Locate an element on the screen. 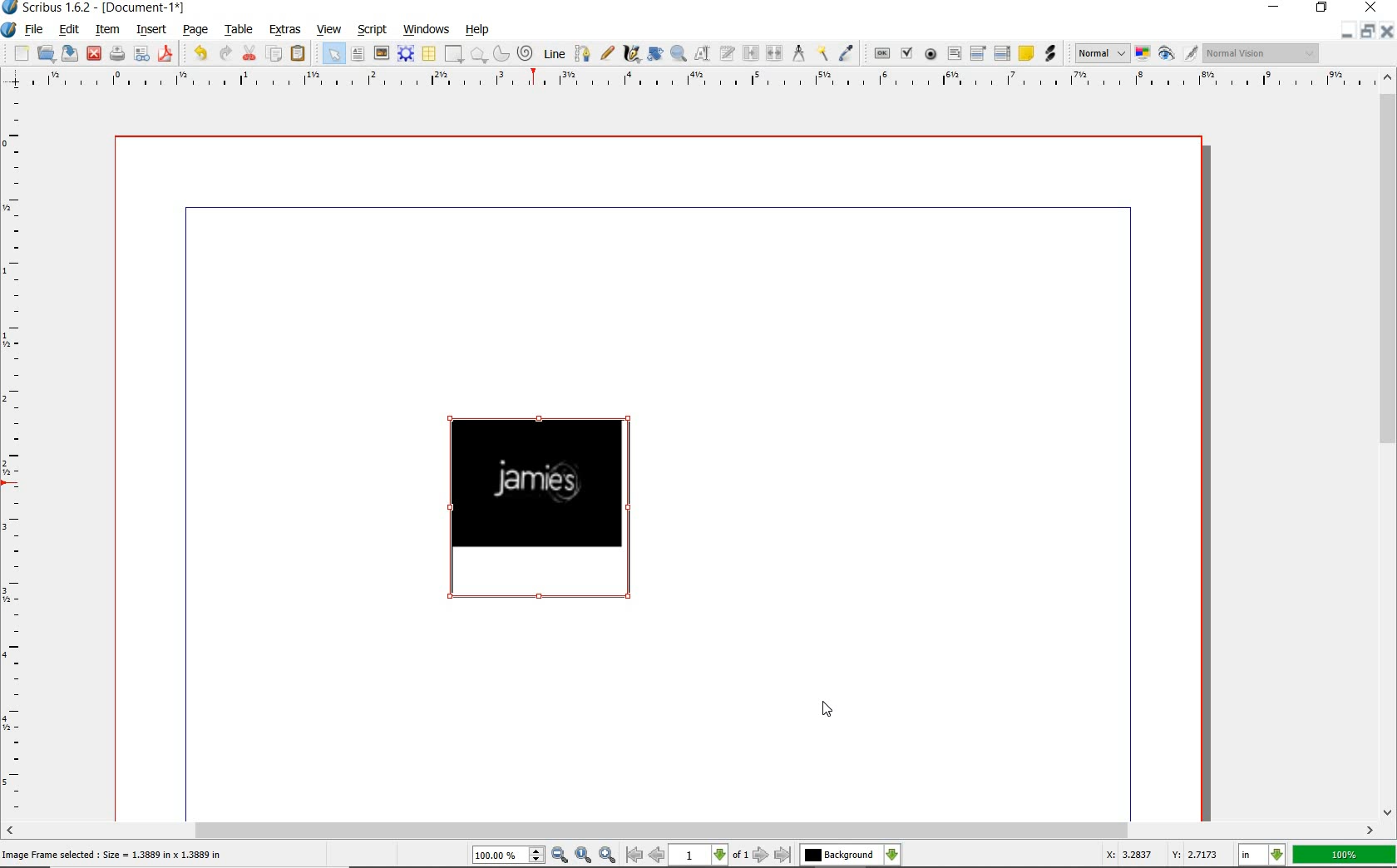 This screenshot has width=1397, height=868. view is located at coordinates (329, 29).